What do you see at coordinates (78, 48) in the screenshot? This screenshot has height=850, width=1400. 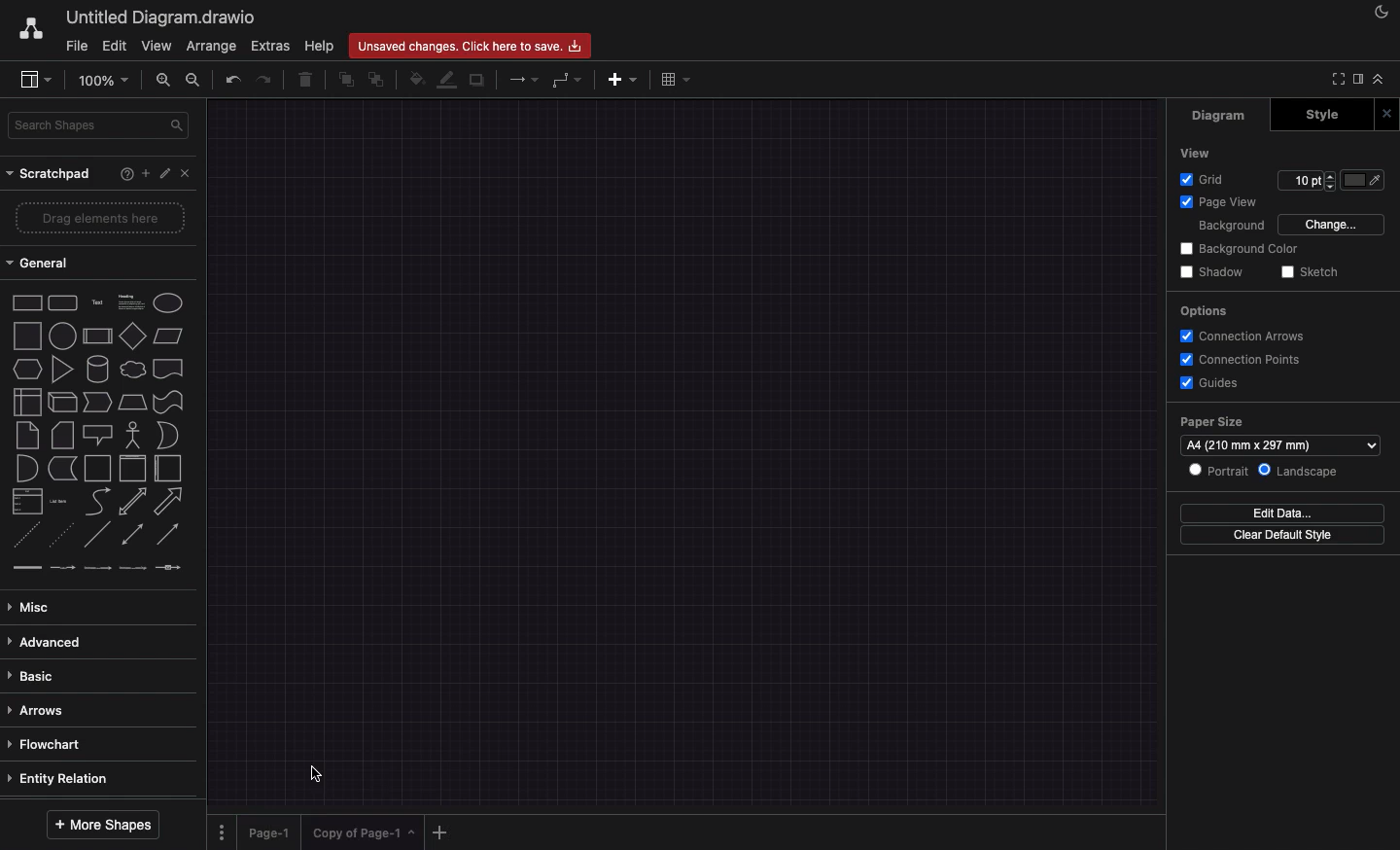 I see `file` at bounding box center [78, 48].